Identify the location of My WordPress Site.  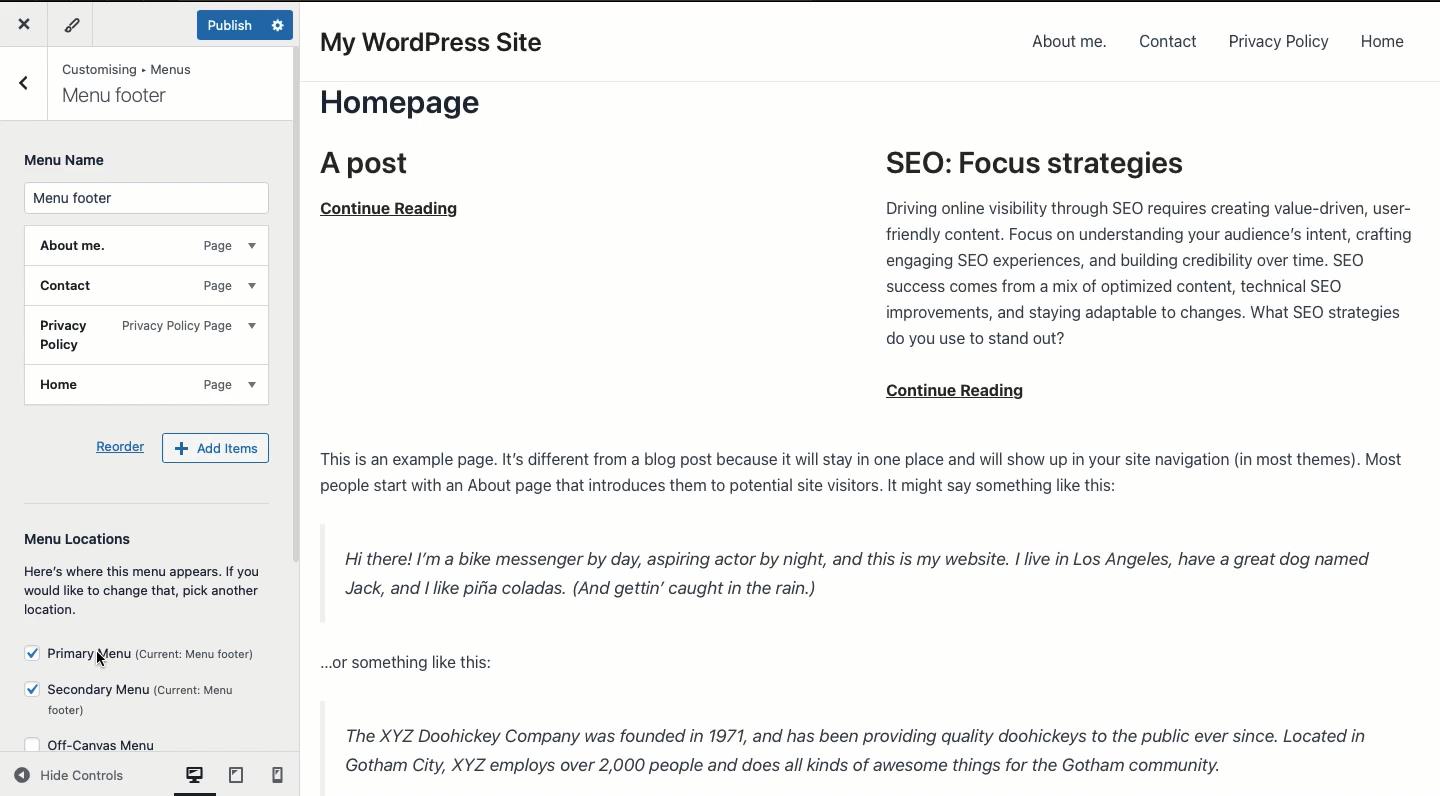
(436, 44).